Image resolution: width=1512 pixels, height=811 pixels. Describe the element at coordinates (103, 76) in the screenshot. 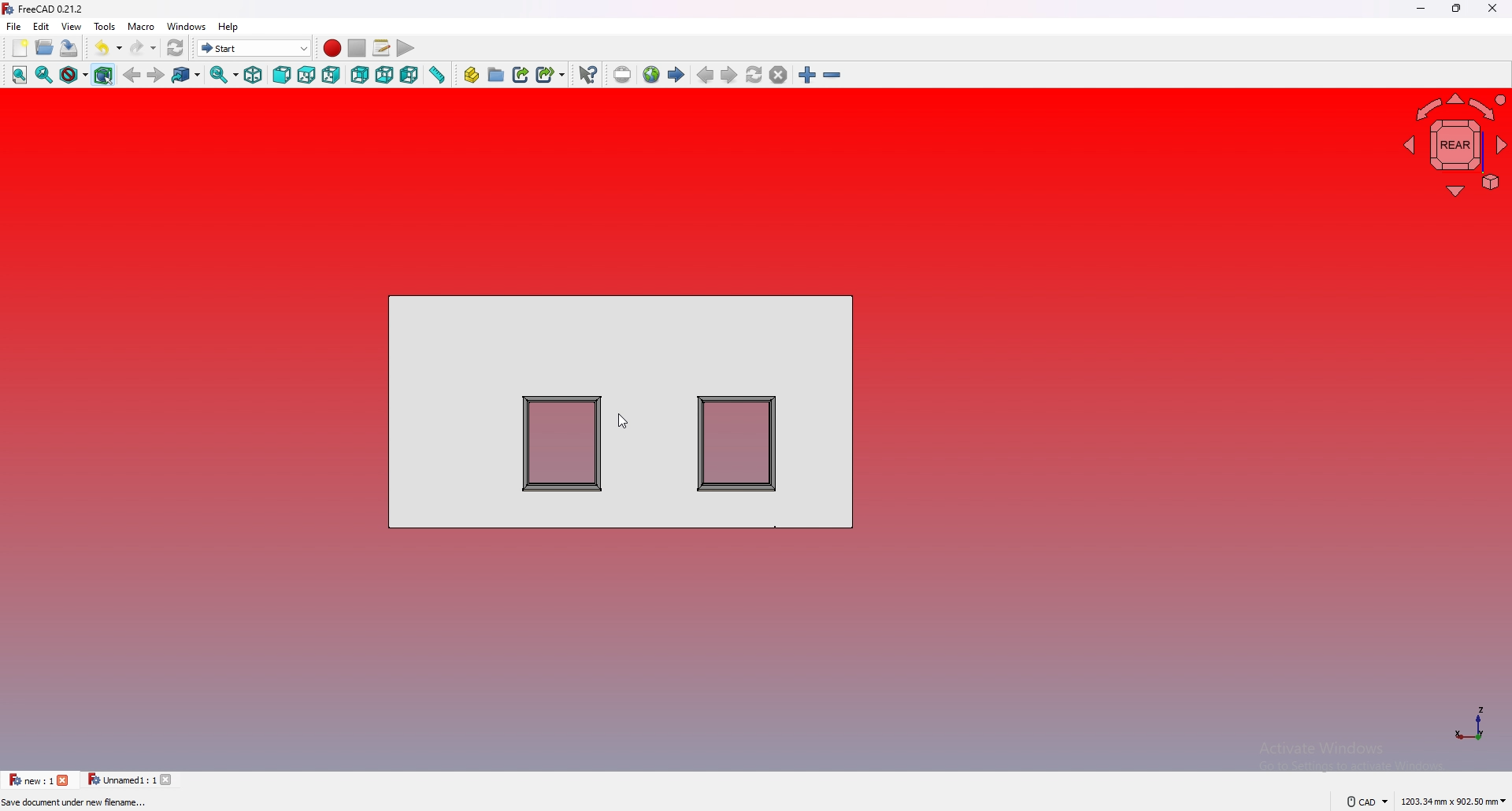

I see `bounding box` at that location.